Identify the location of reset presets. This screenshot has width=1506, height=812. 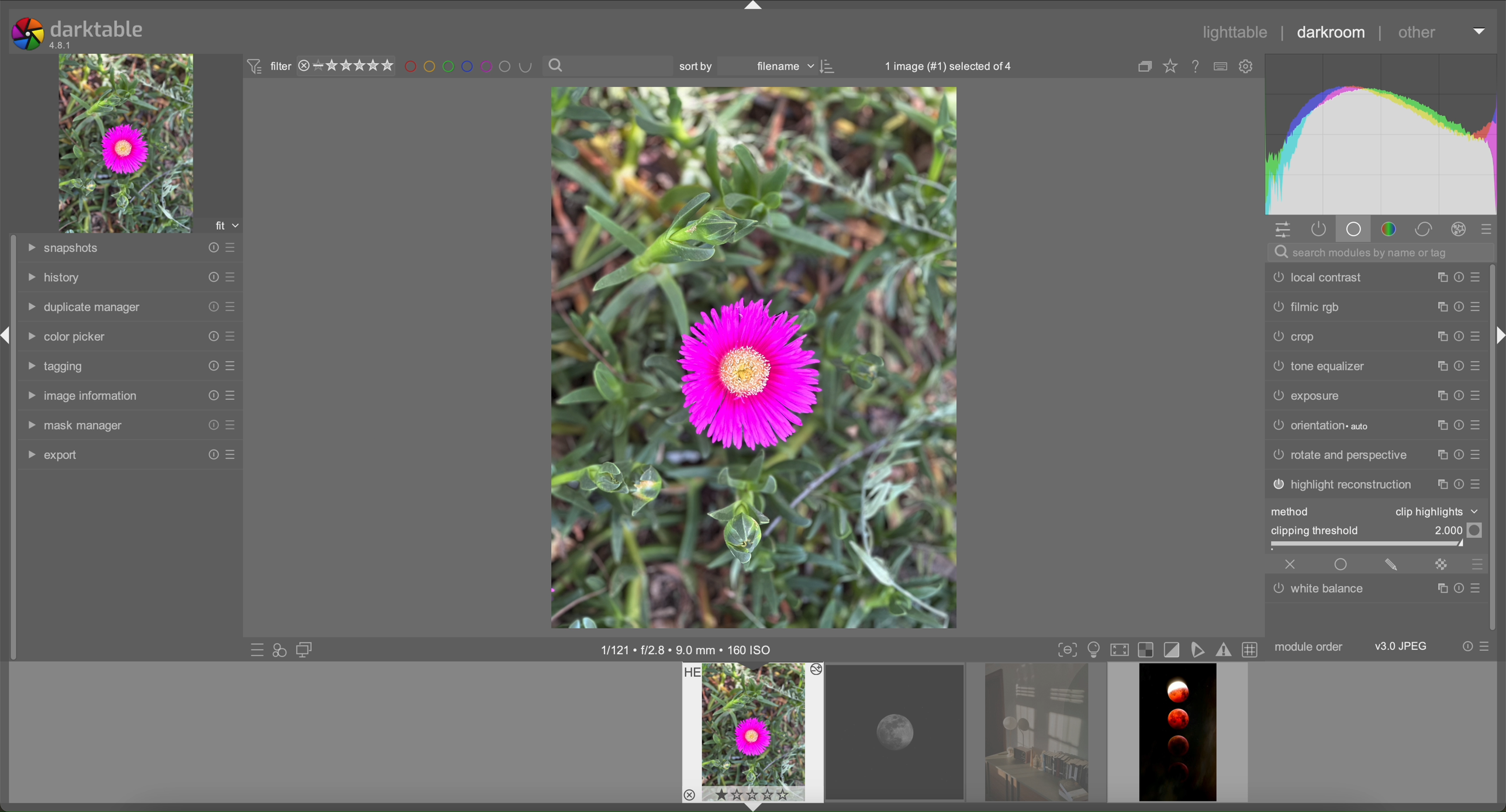
(210, 426).